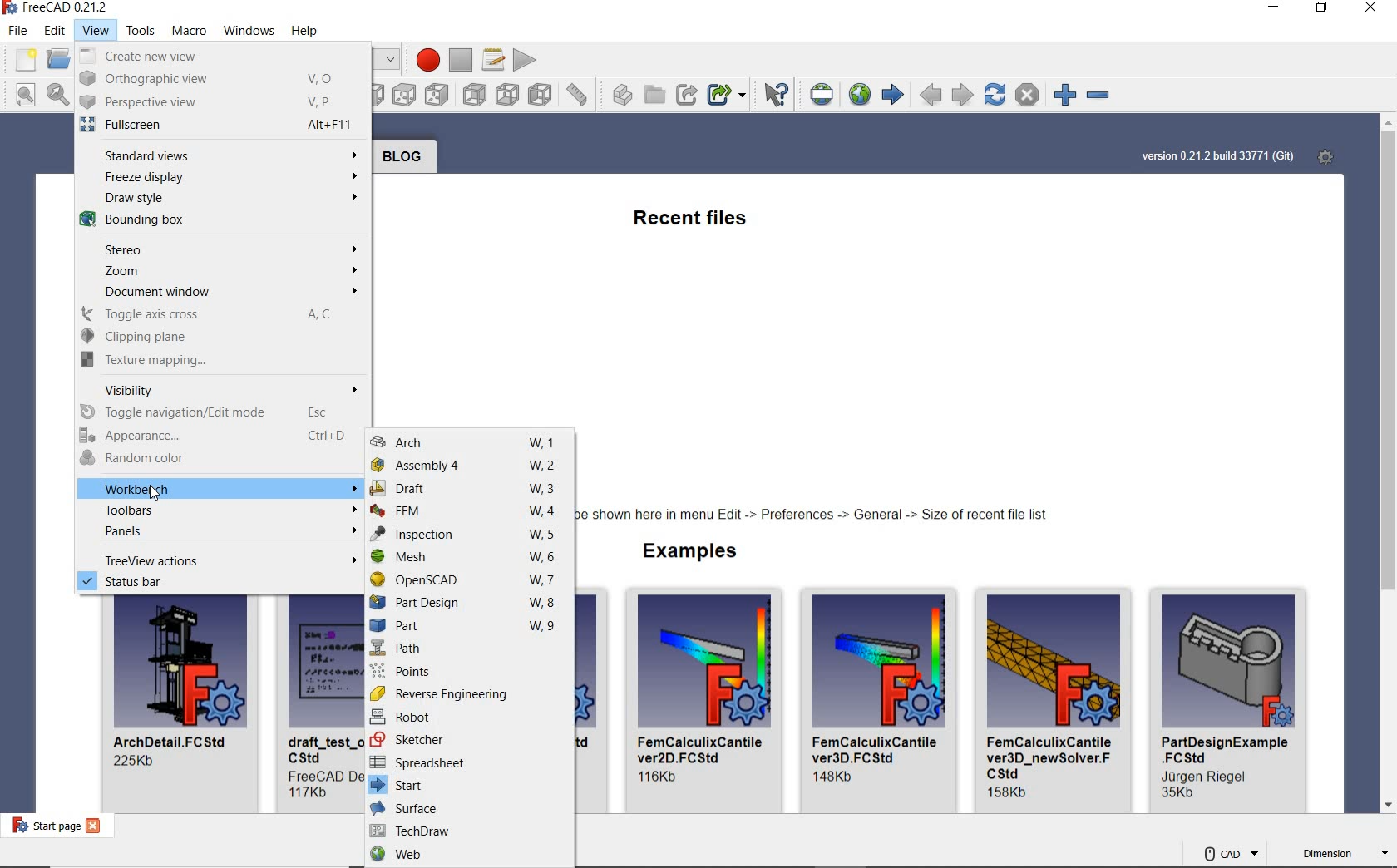 This screenshot has width=1397, height=868. I want to click on left, so click(541, 95).